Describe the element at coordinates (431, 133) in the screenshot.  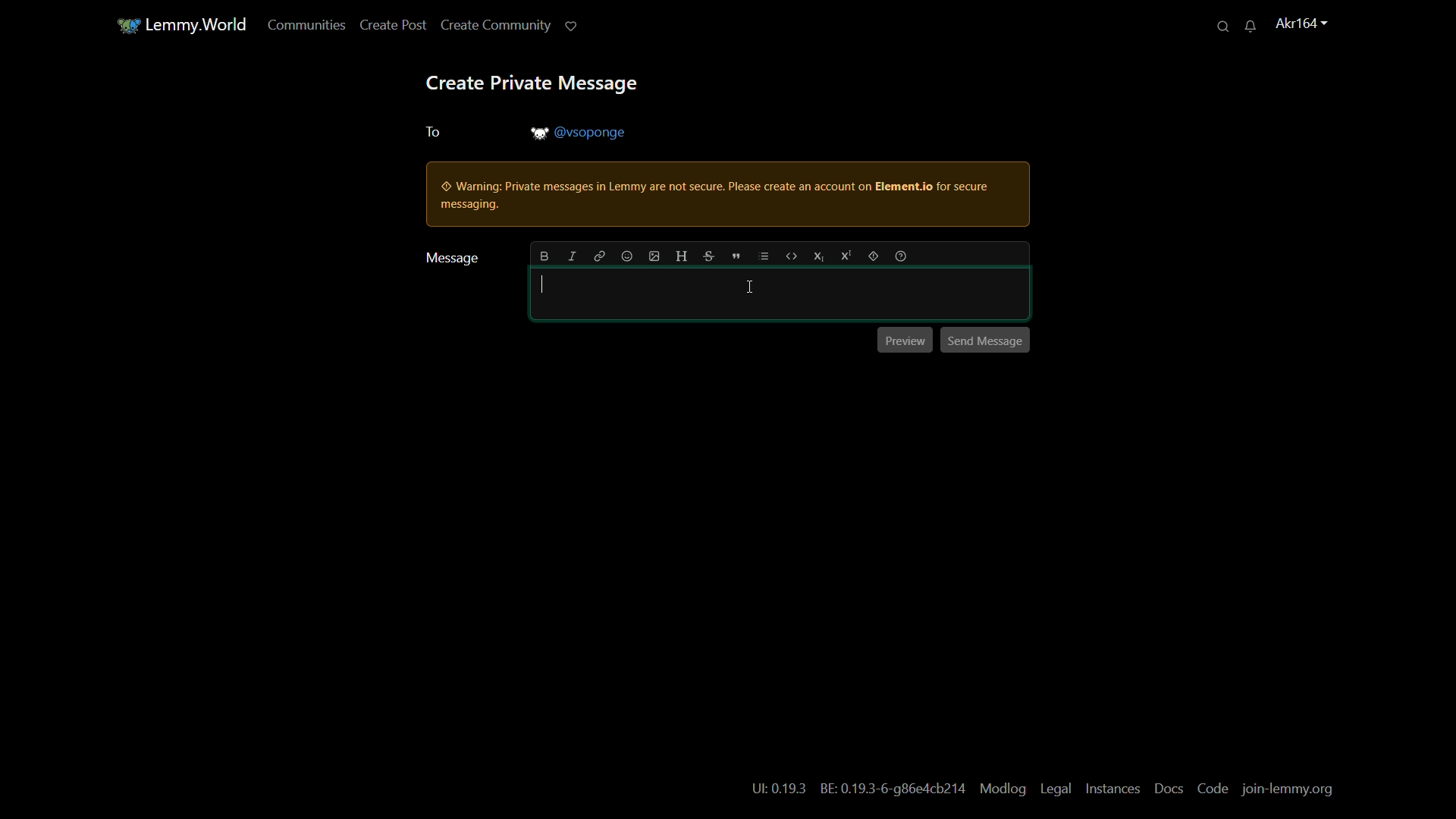
I see `to` at that location.